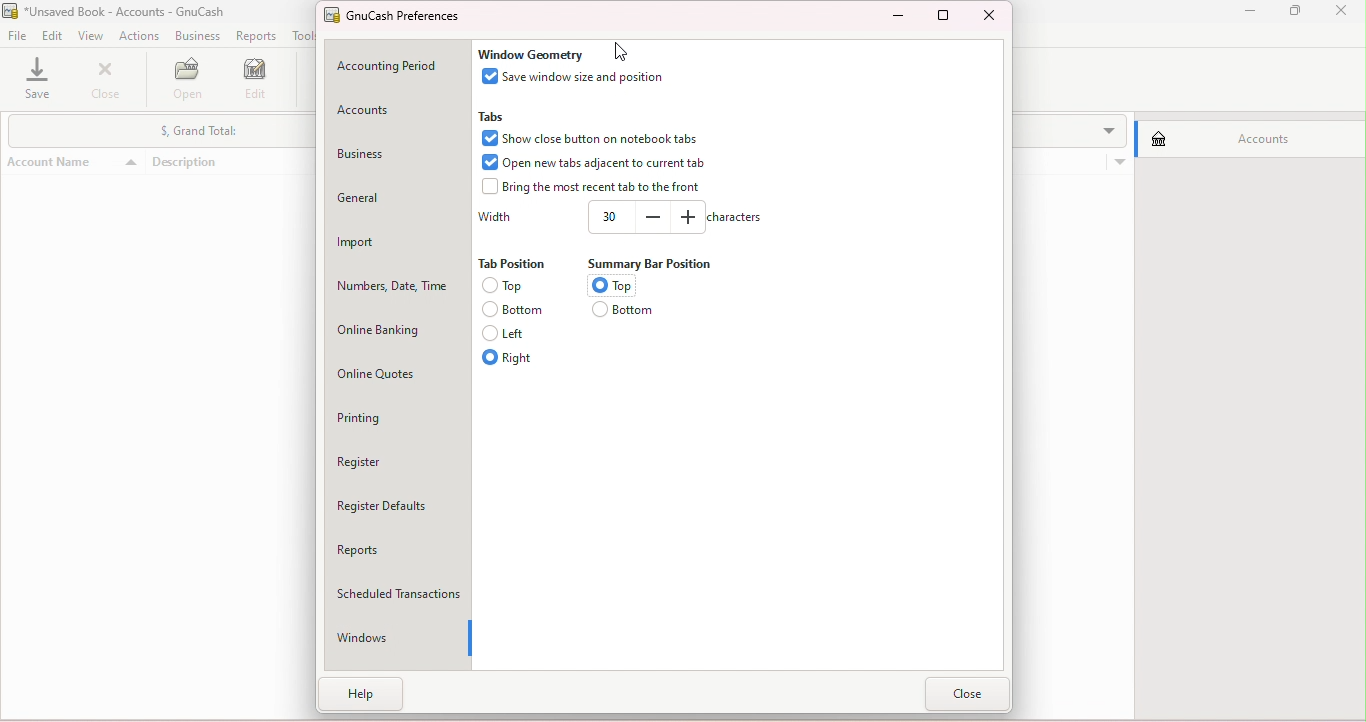  I want to click on Help, so click(368, 699).